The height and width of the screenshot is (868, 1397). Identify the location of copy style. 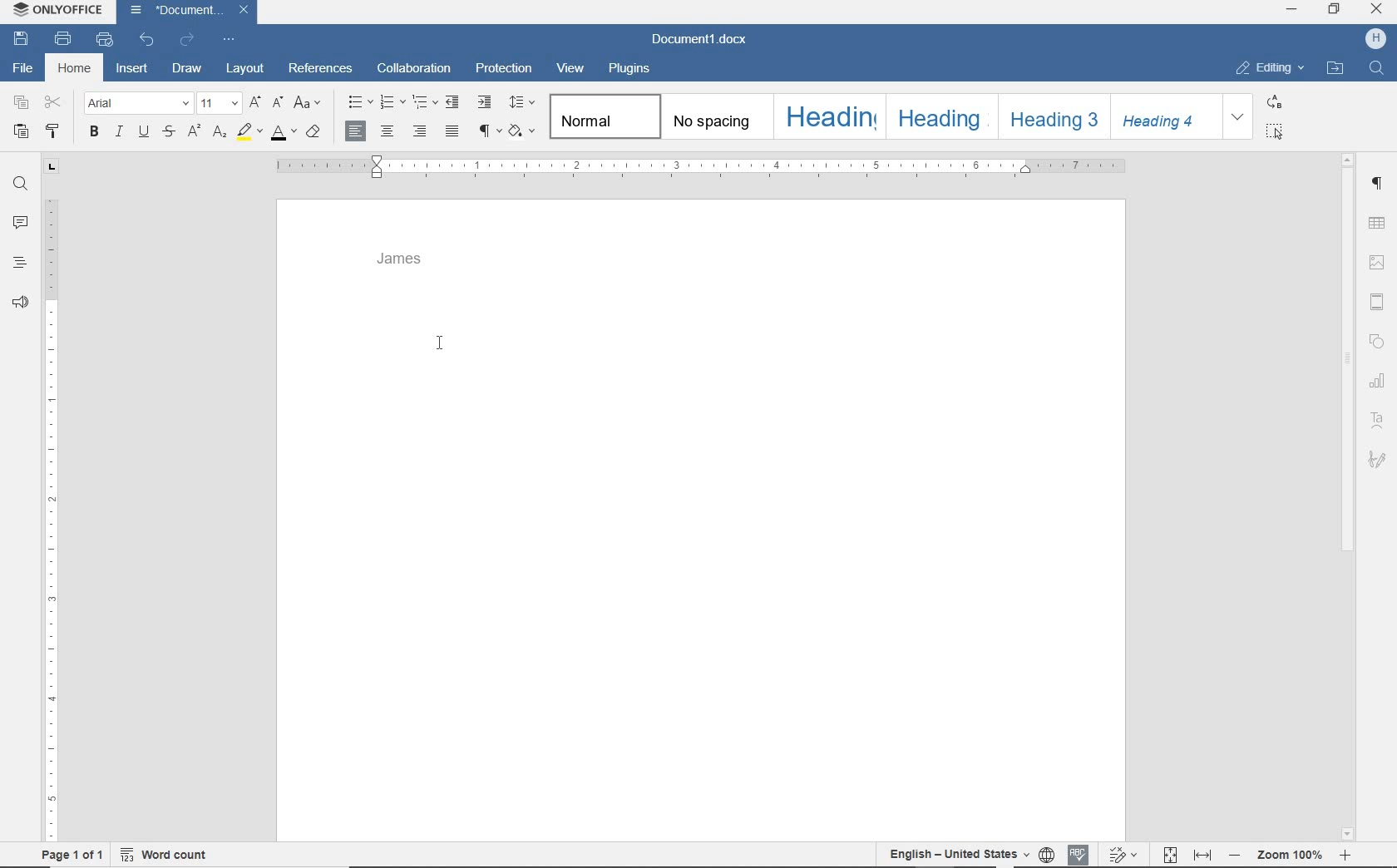
(55, 131).